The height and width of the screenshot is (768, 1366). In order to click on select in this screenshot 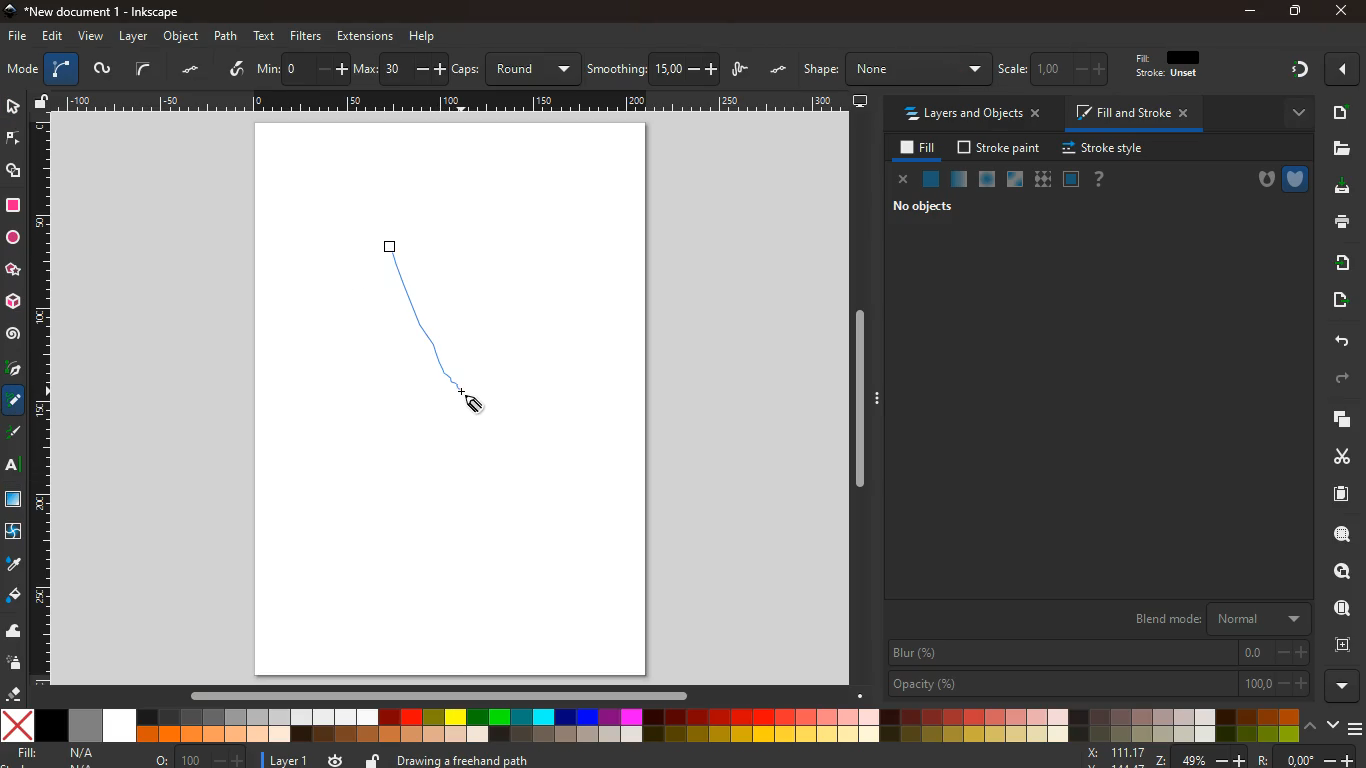, I will do `click(12, 105)`.